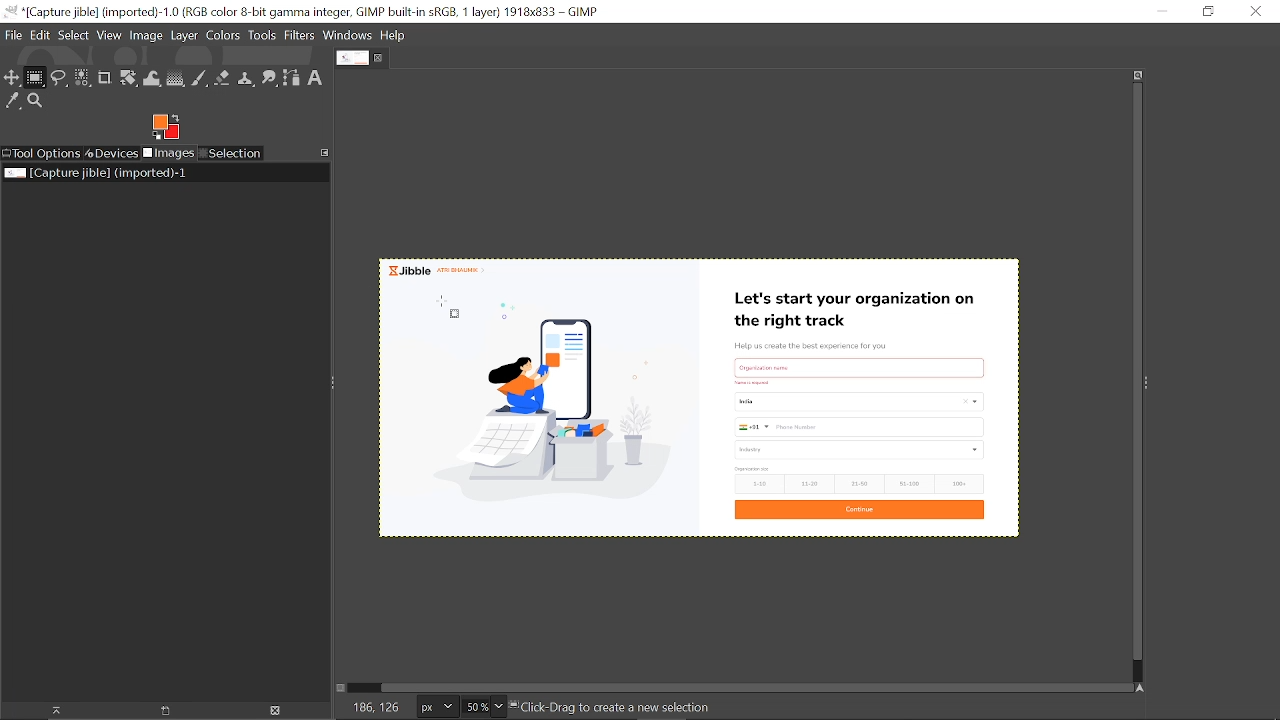 The image size is (1280, 720). What do you see at coordinates (1133, 374) in the screenshot?
I see `Vertical scrollbar` at bounding box center [1133, 374].